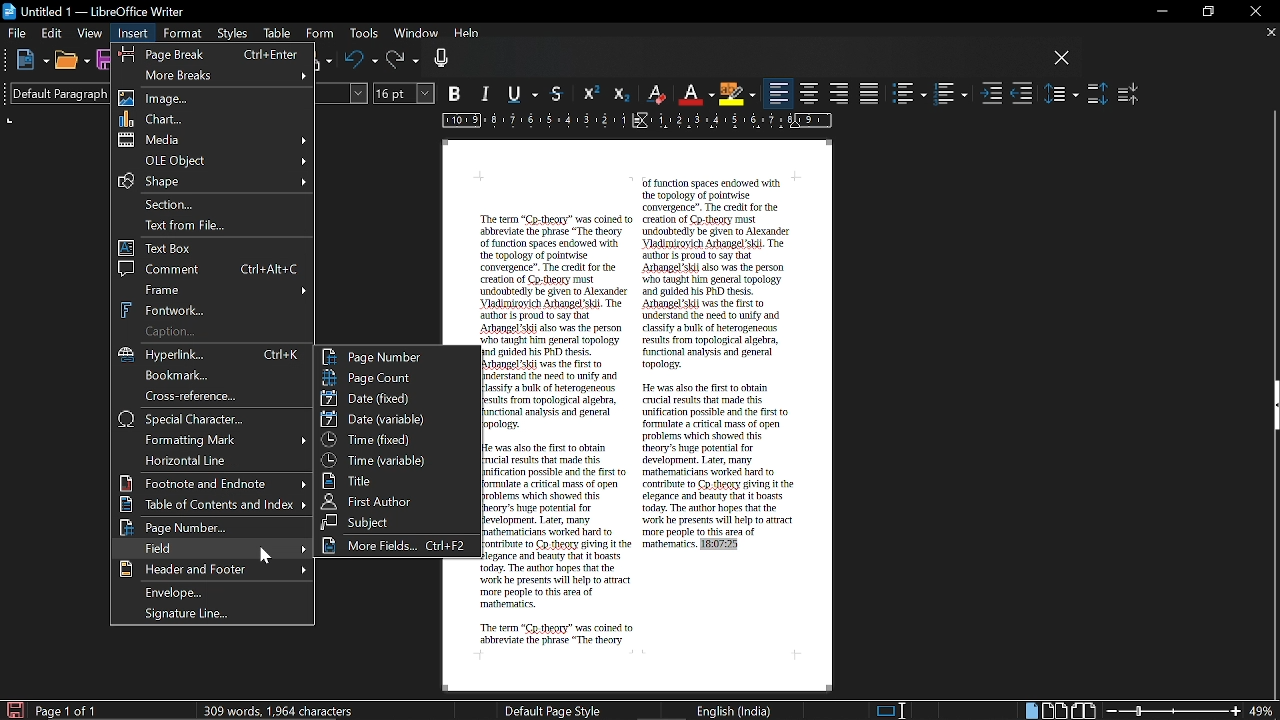  Describe the element at coordinates (394, 397) in the screenshot. I see `Date` at that location.